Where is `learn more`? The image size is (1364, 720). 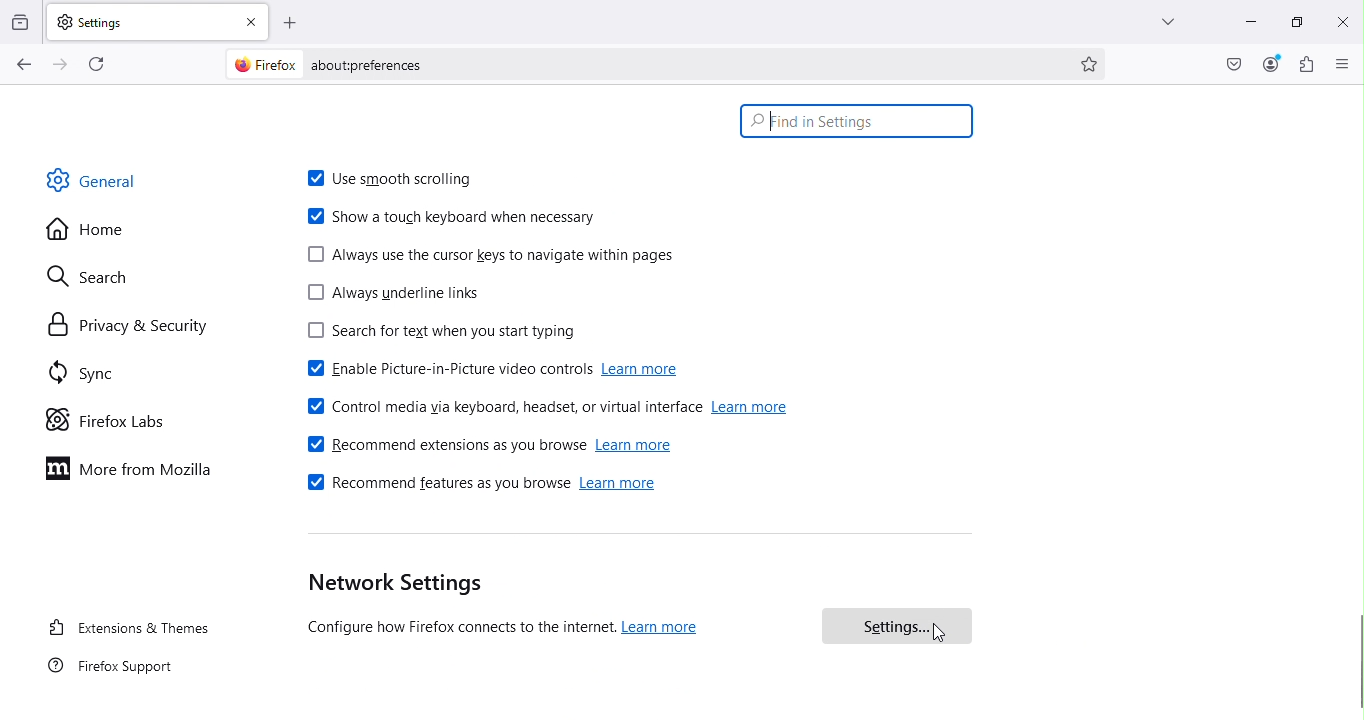 learn more is located at coordinates (751, 407).